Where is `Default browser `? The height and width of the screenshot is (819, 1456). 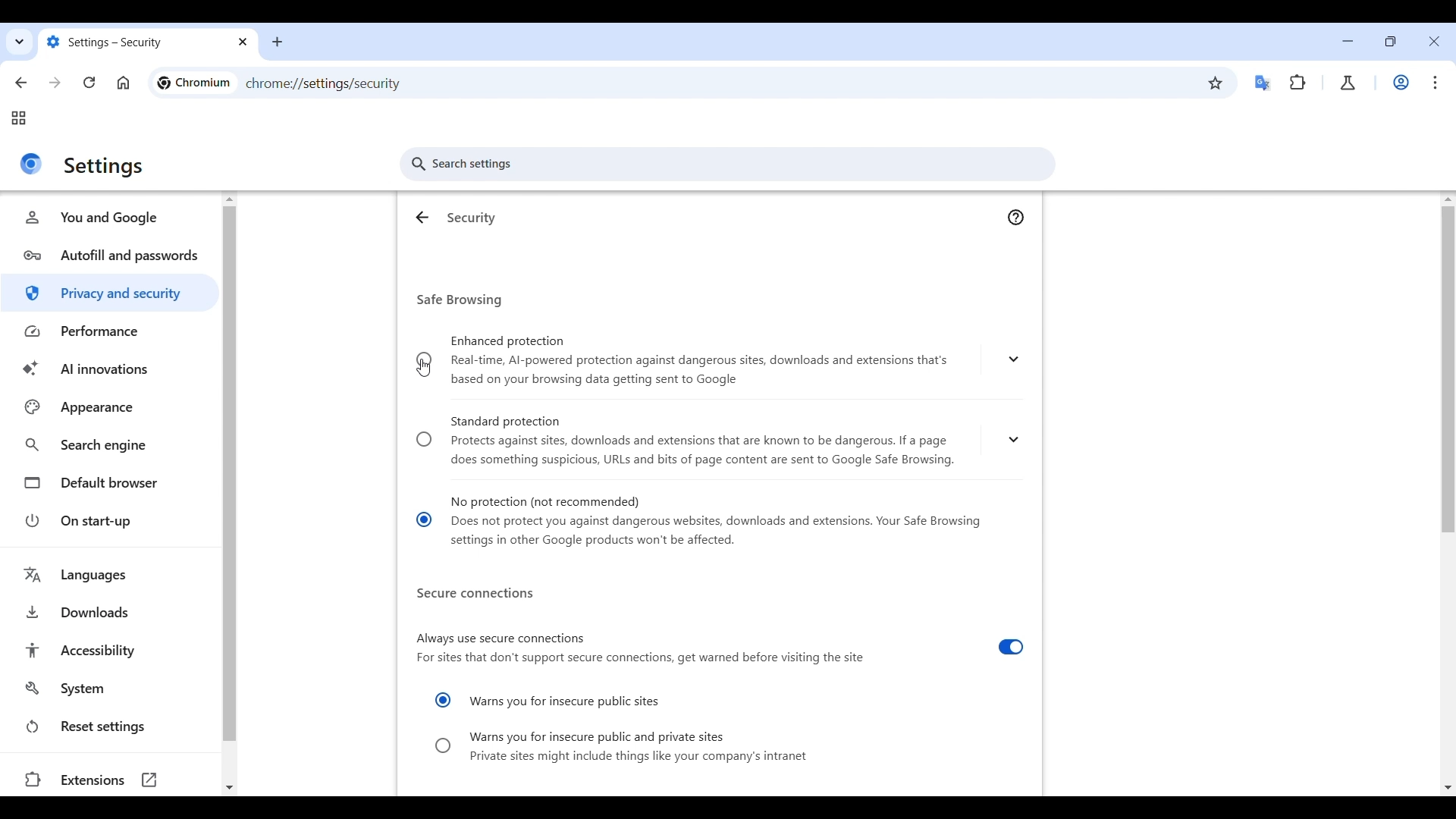 Default browser  is located at coordinates (112, 483).